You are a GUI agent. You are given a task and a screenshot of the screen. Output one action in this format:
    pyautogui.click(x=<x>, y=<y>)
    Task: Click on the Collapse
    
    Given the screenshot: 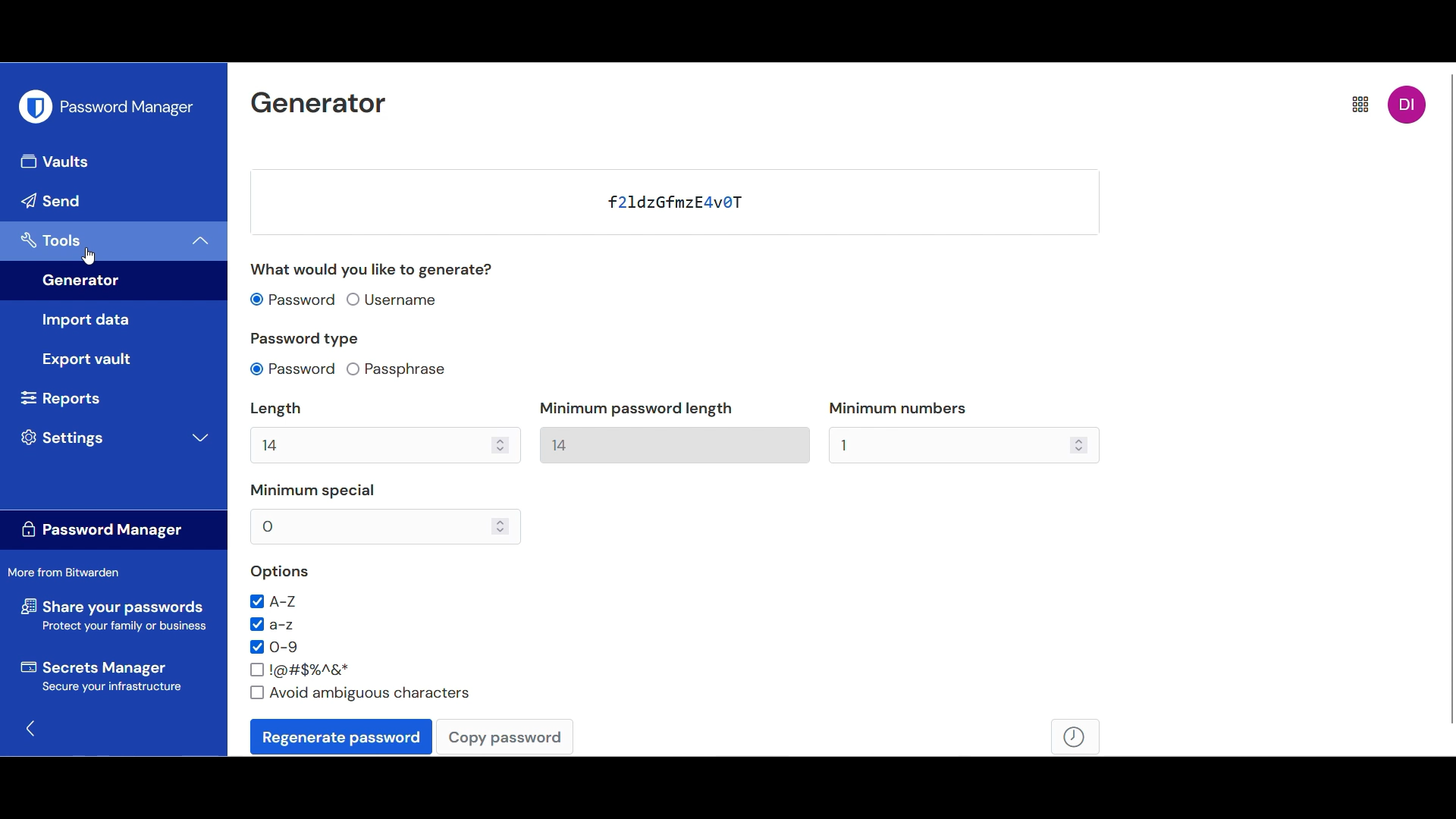 What is the action you would take?
    pyautogui.click(x=202, y=242)
    